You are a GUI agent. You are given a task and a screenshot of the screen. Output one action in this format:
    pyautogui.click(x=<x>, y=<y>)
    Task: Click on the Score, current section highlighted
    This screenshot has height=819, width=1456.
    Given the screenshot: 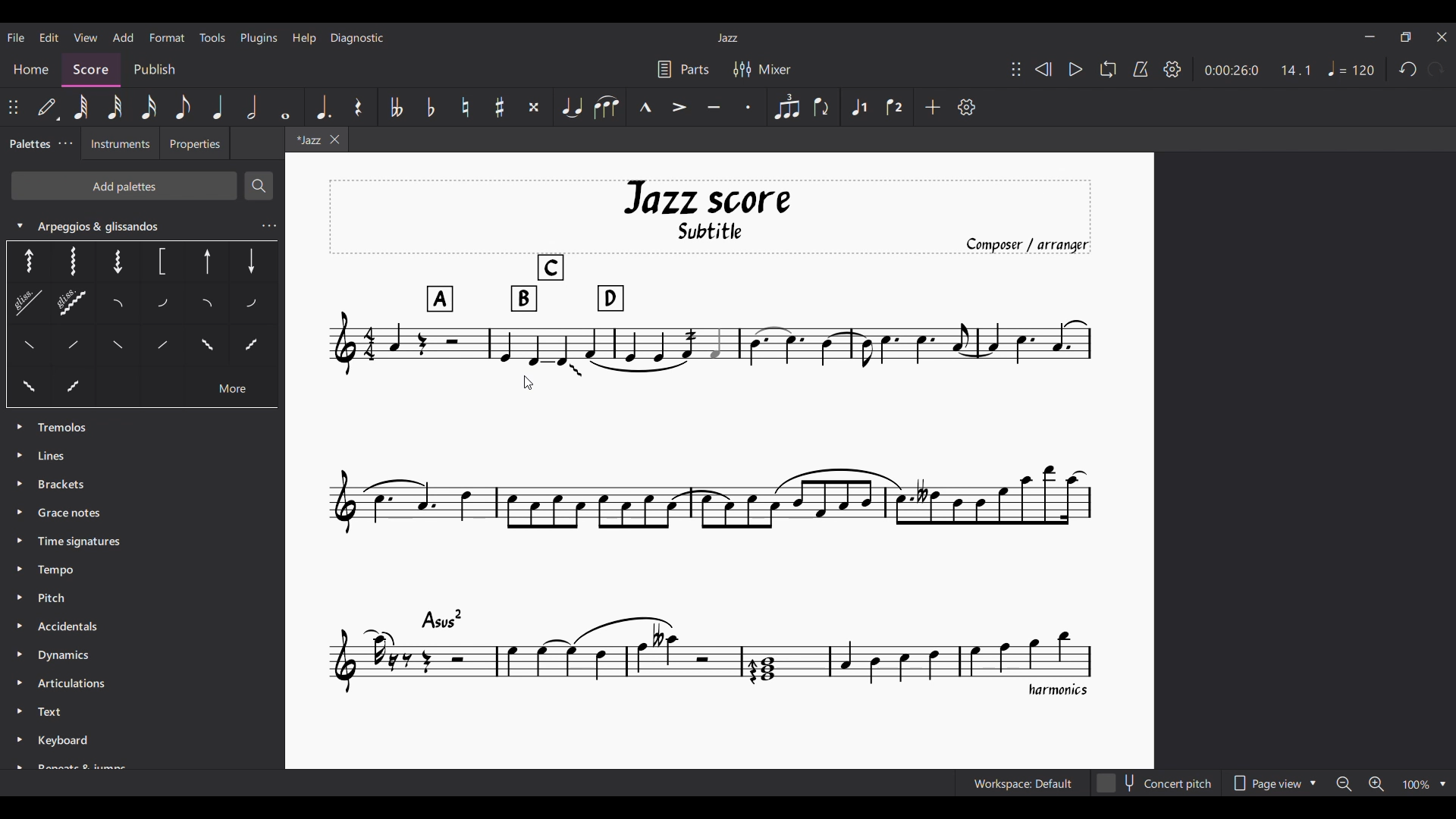 What is the action you would take?
    pyautogui.click(x=95, y=70)
    